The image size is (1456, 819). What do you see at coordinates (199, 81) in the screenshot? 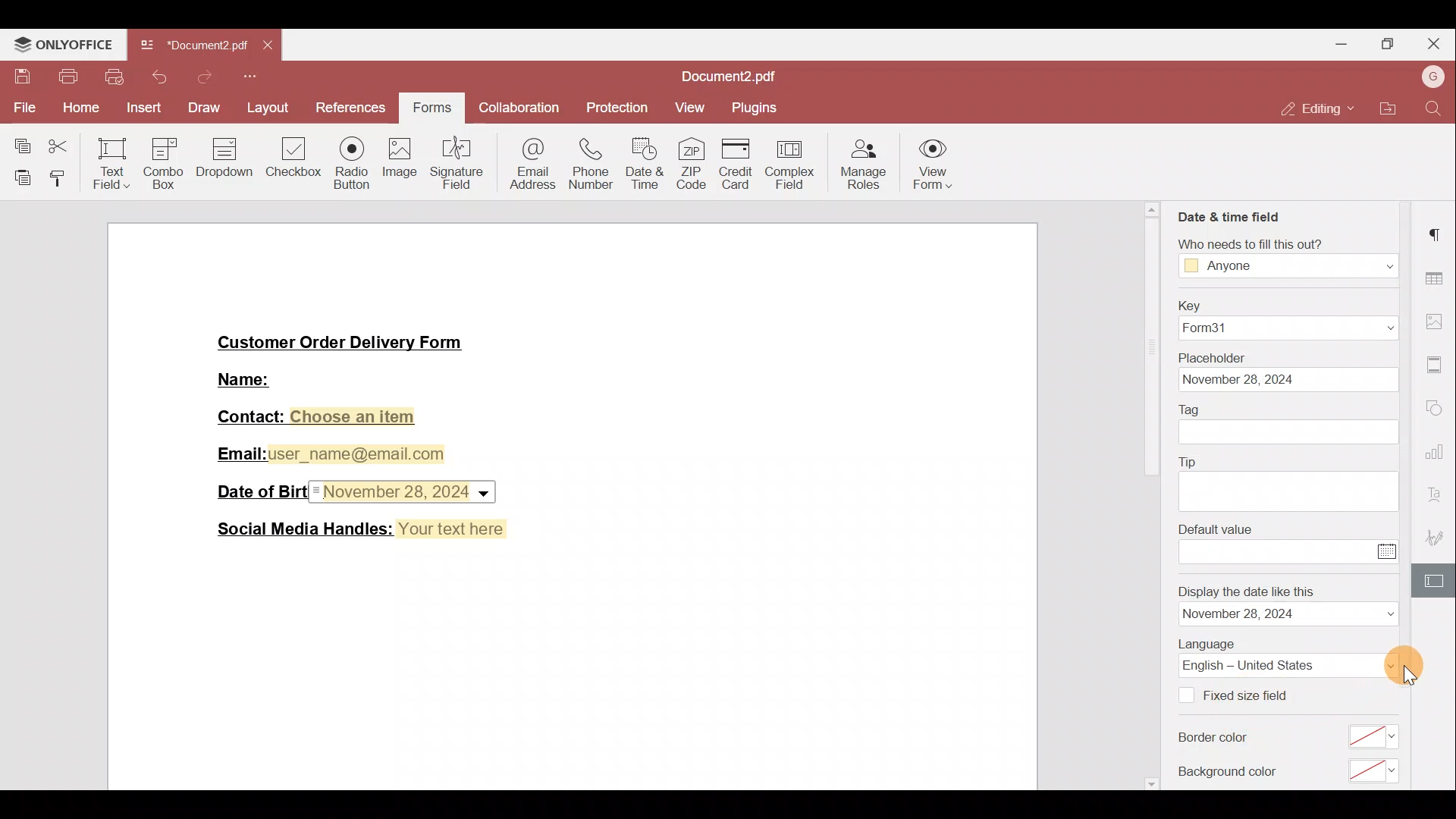
I see `Redo` at bounding box center [199, 81].